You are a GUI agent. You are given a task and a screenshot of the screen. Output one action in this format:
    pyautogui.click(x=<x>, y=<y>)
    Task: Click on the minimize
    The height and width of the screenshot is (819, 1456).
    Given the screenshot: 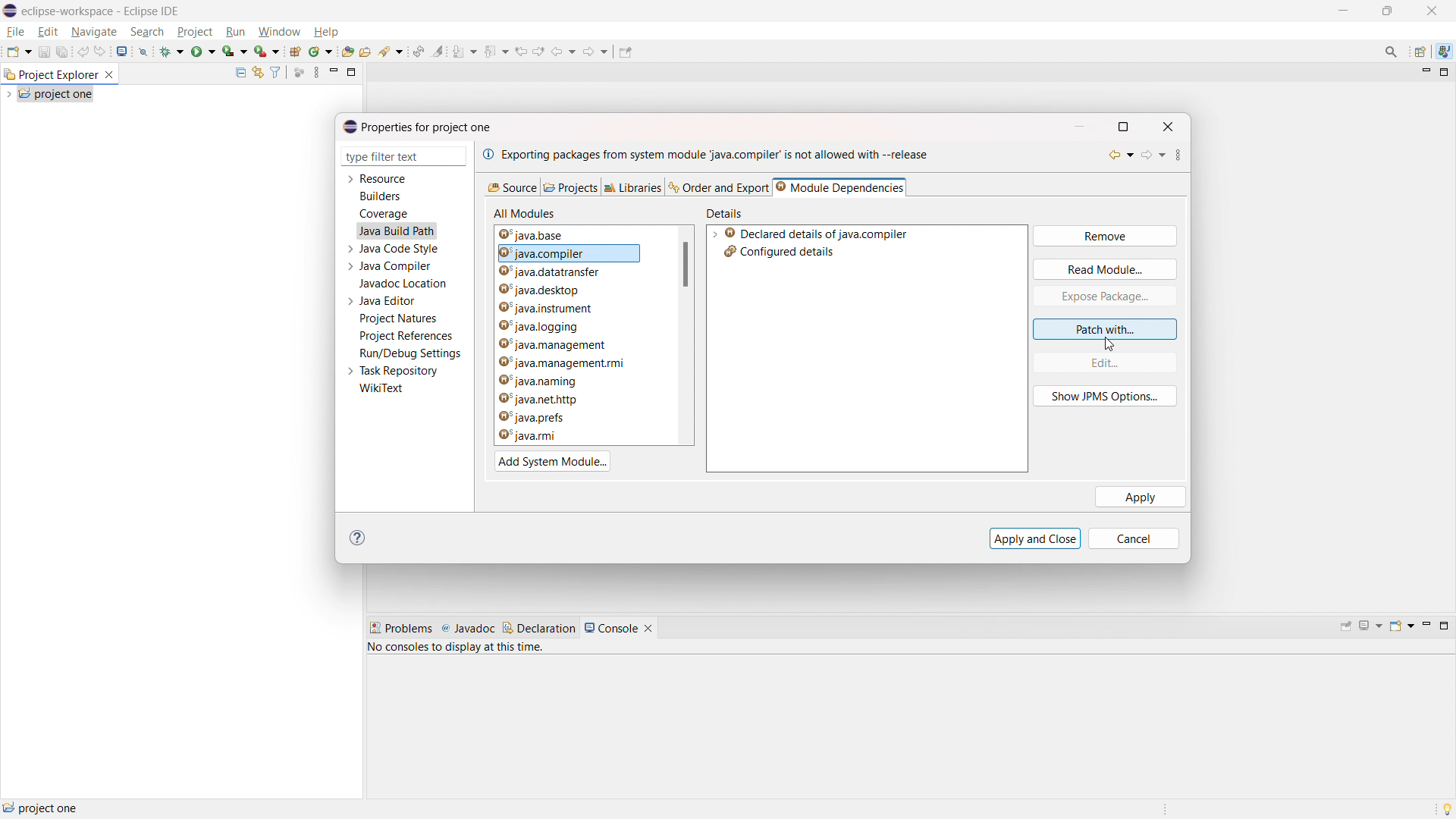 What is the action you would take?
    pyautogui.click(x=1425, y=626)
    